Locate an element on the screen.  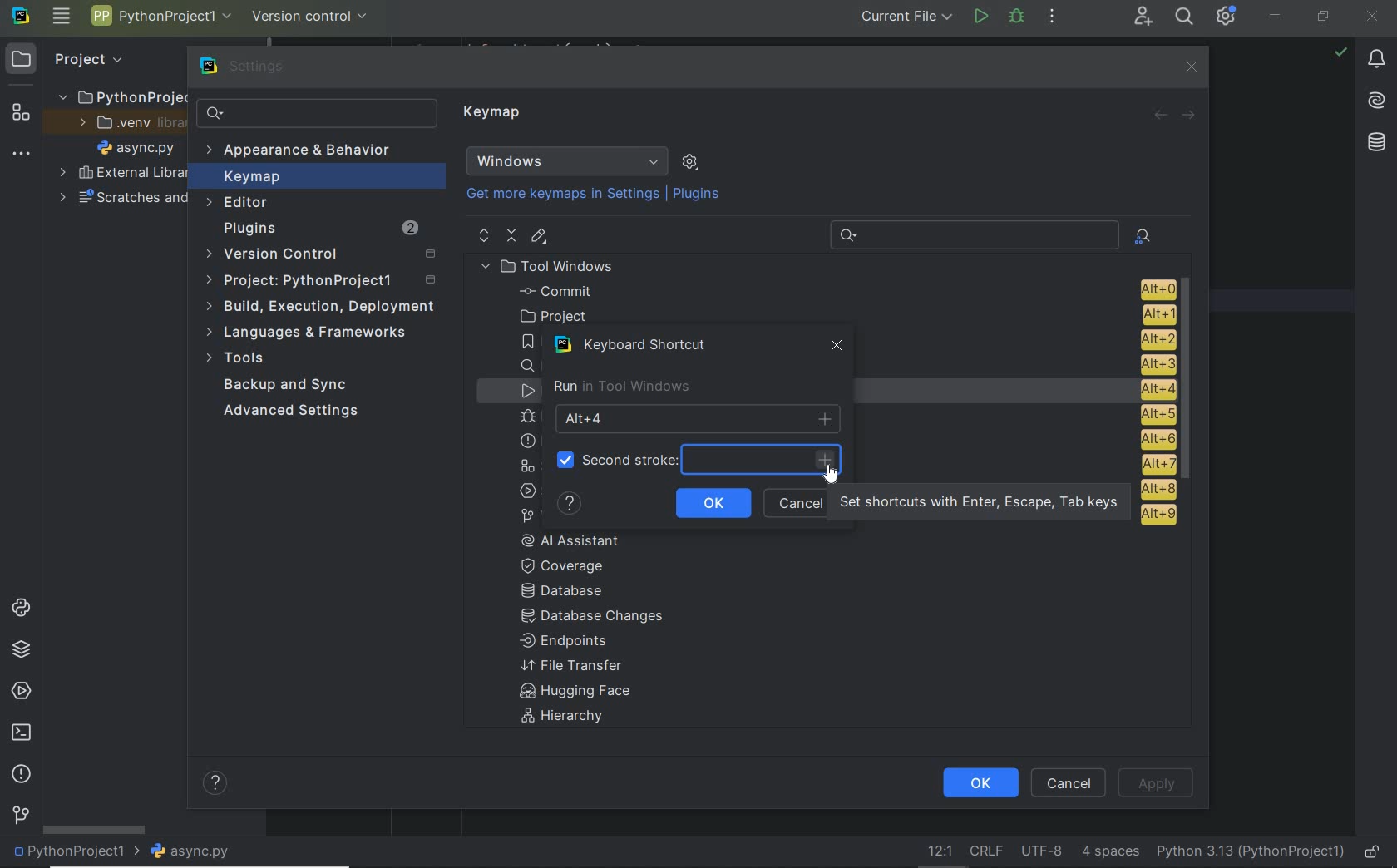
go to line is located at coordinates (937, 852).